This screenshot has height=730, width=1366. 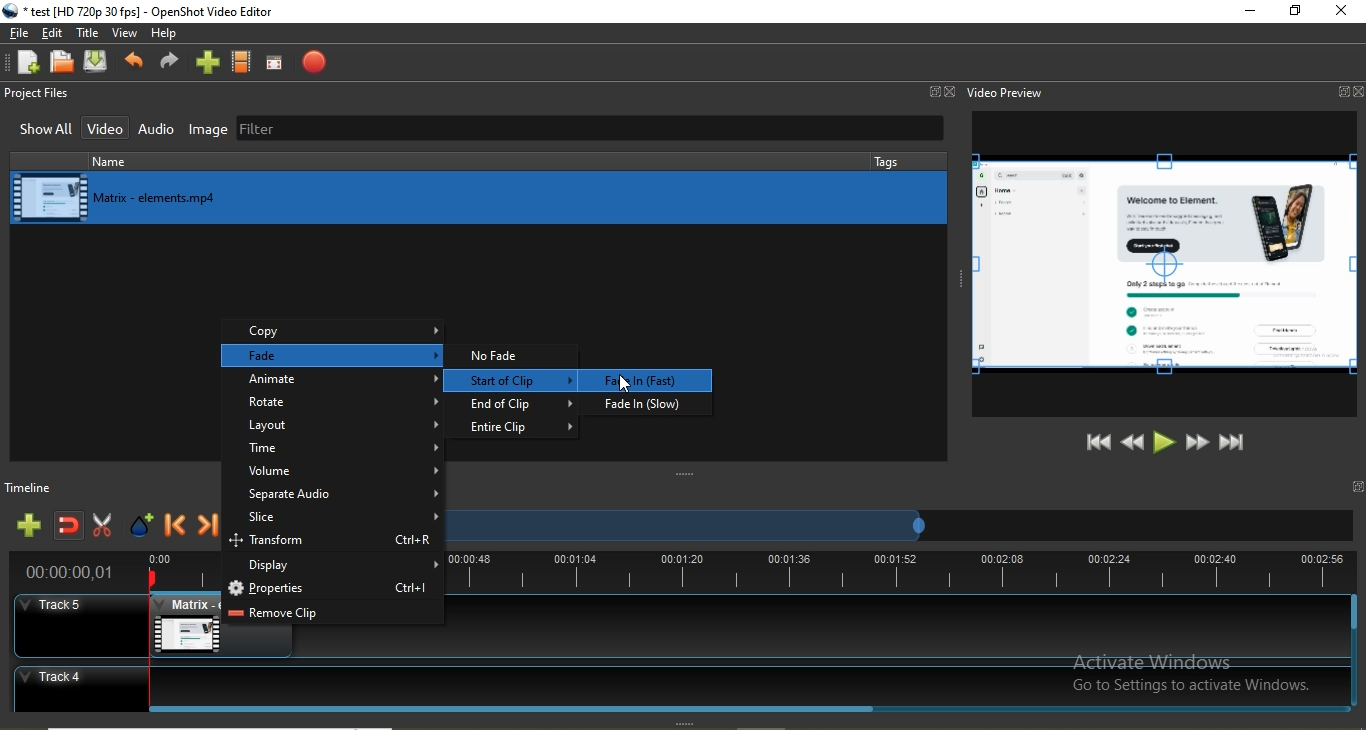 I want to click on fade in (fast), so click(x=657, y=380).